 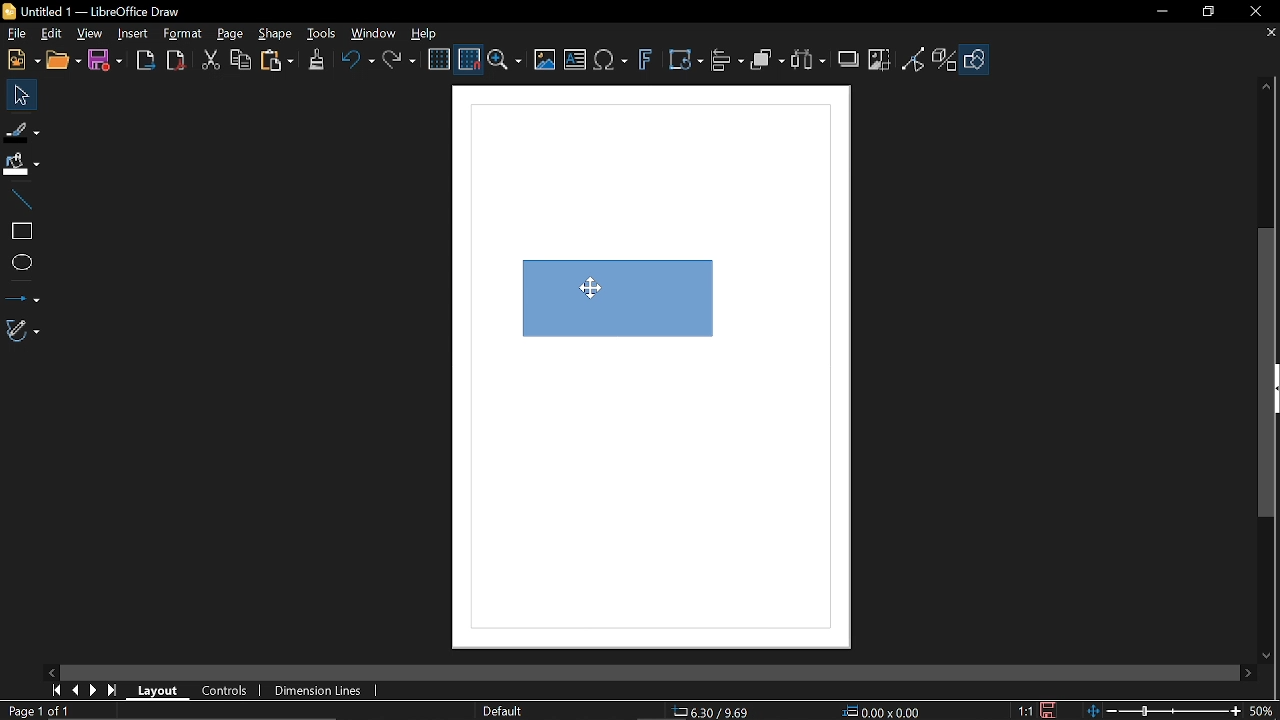 What do you see at coordinates (1166, 712) in the screenshot?
I see `Change zoom` at bounding box center [1166, 712].